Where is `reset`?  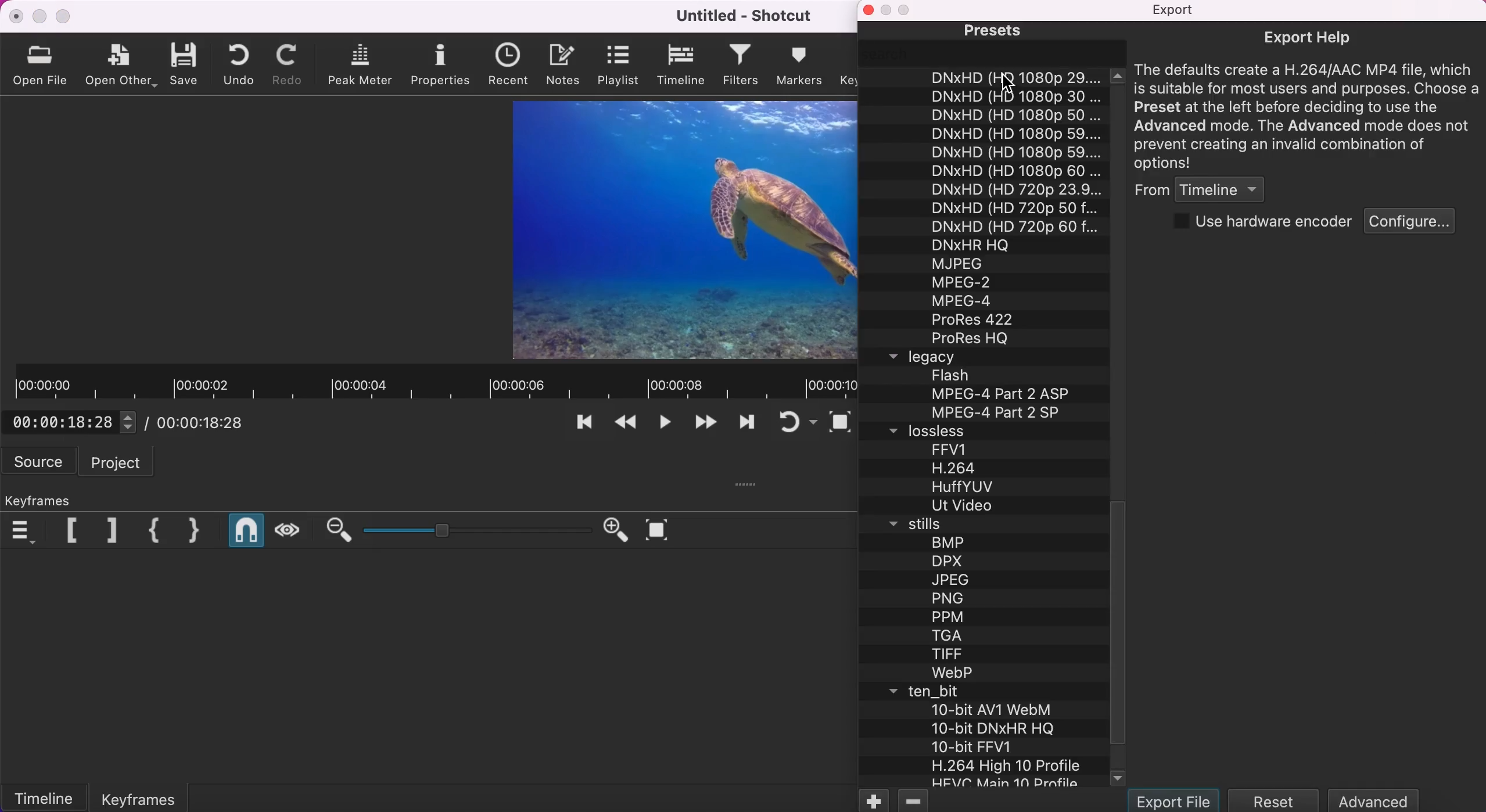 reset is located at coordinates (1272, 799).